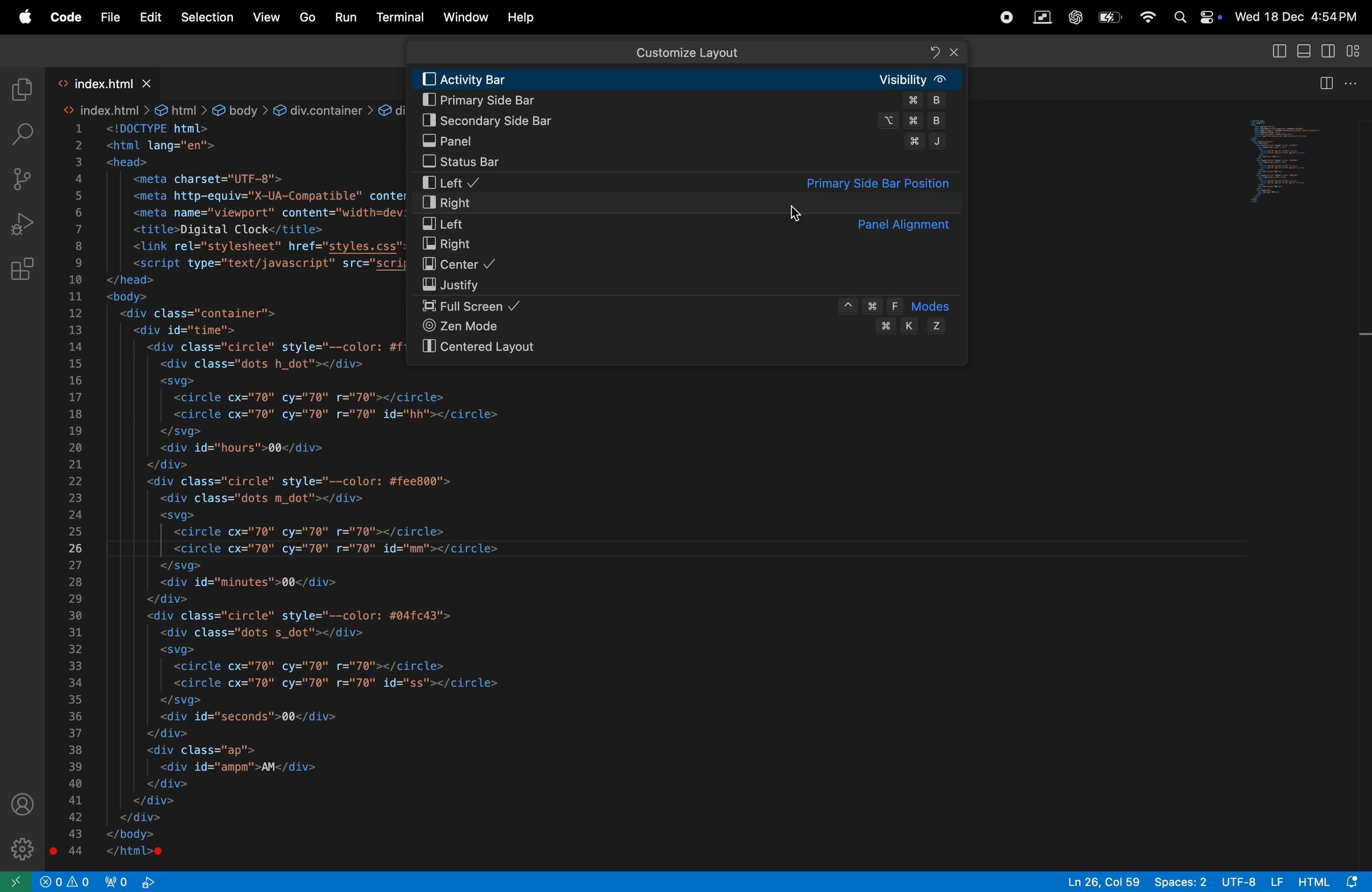  I want to click on centered layout, so click(695, 349).